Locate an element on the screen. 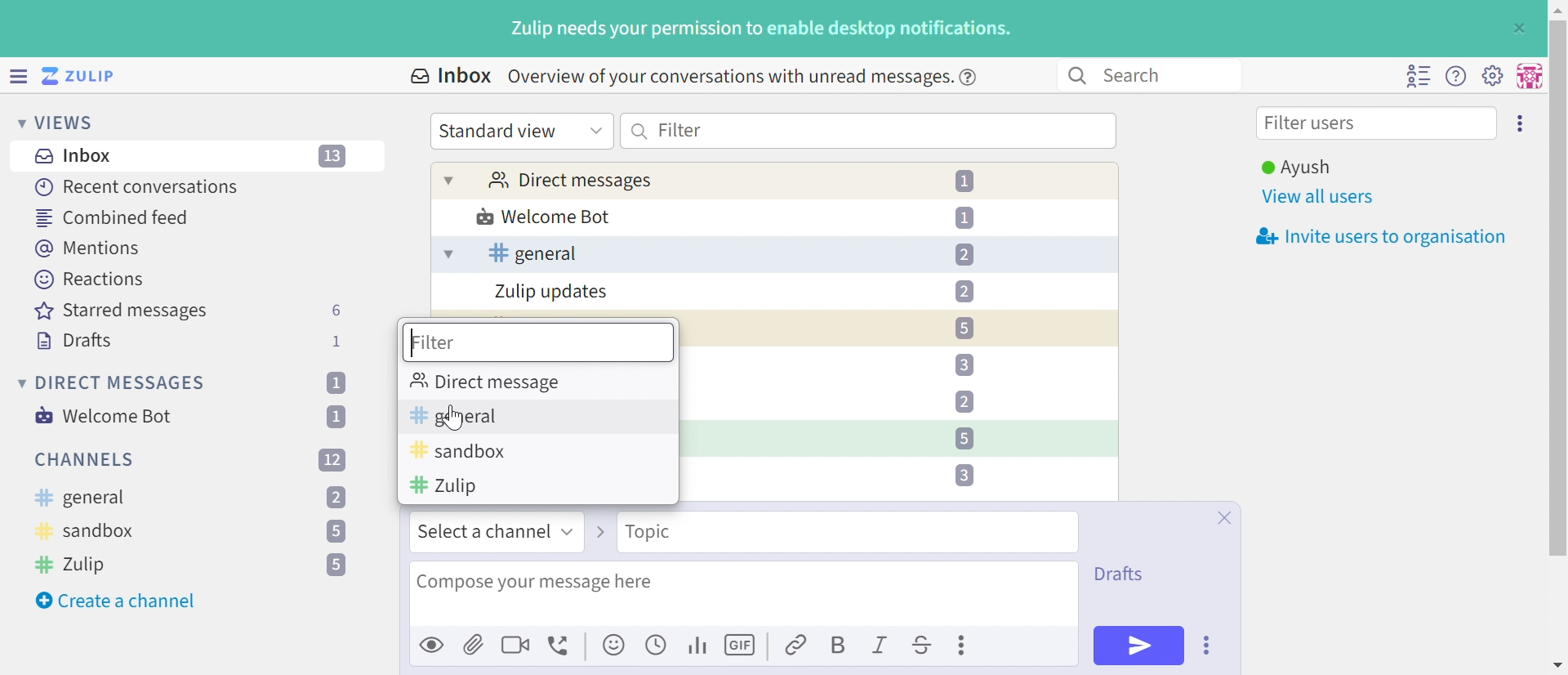 The height and width of the screenshot is (675, 1568). VIEWS is located at coordinates (69, 122).